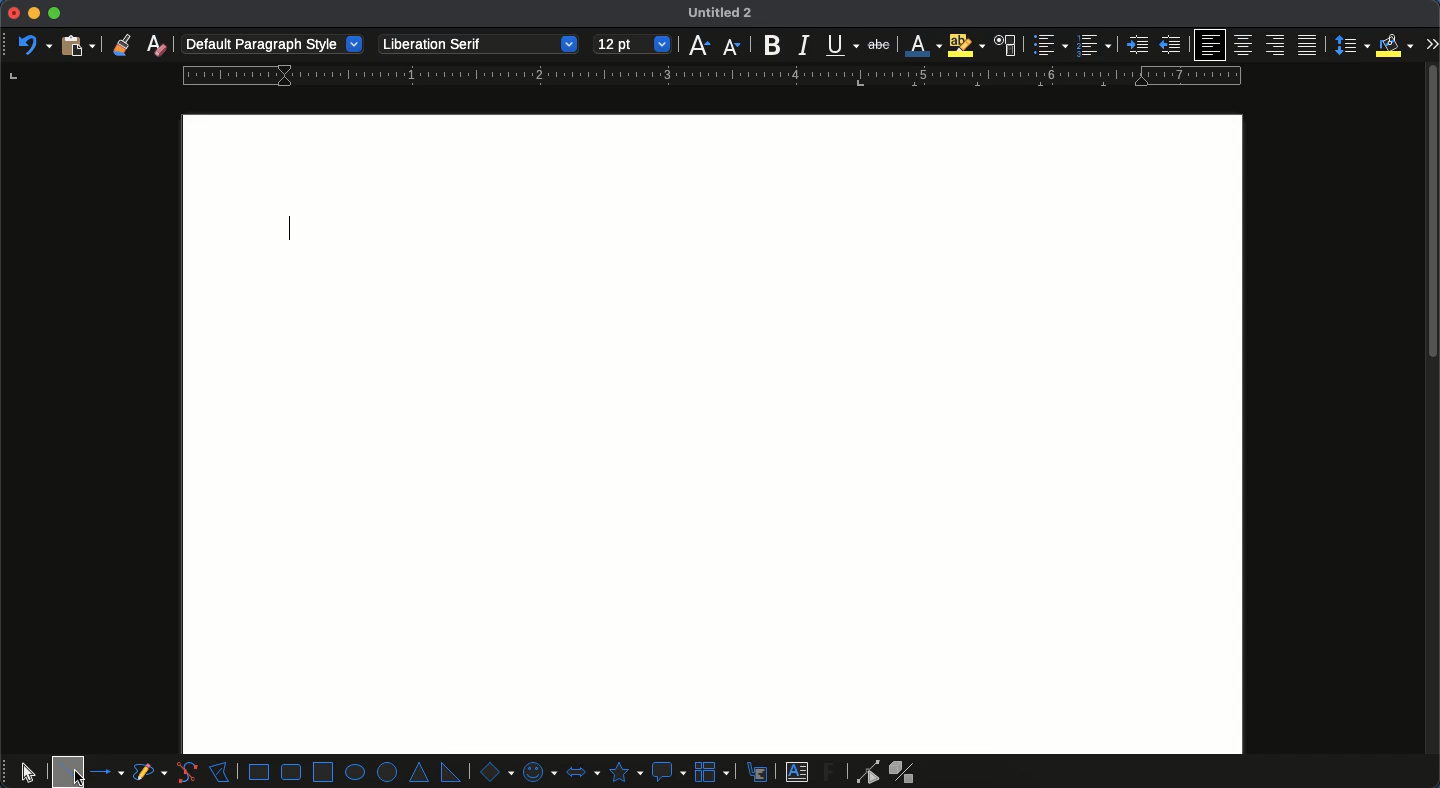 The image size is (1440, 788). I want to click on rounded rectangle, so click(292, 772).